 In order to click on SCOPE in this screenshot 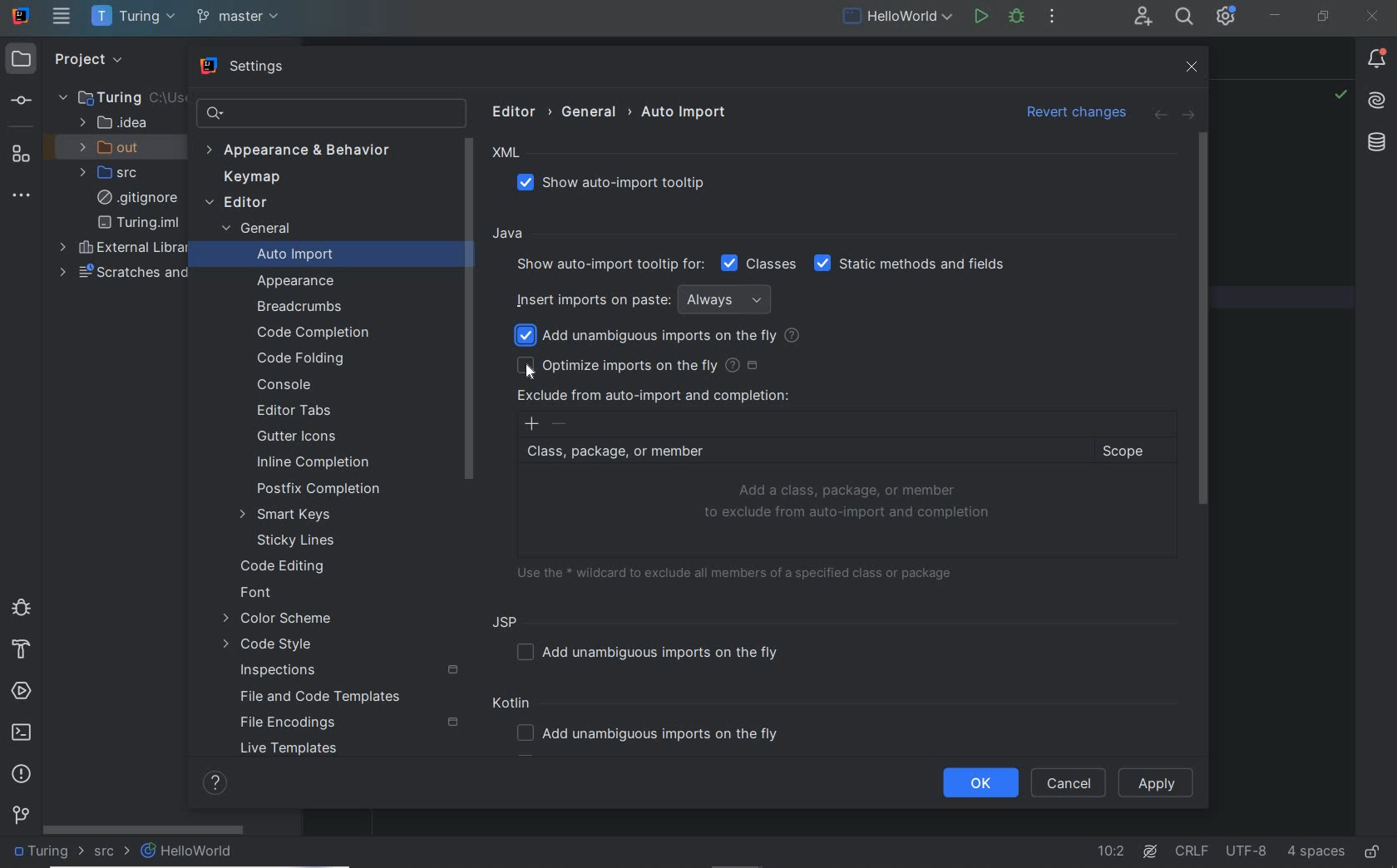, I will do `click(1131, 451)`.